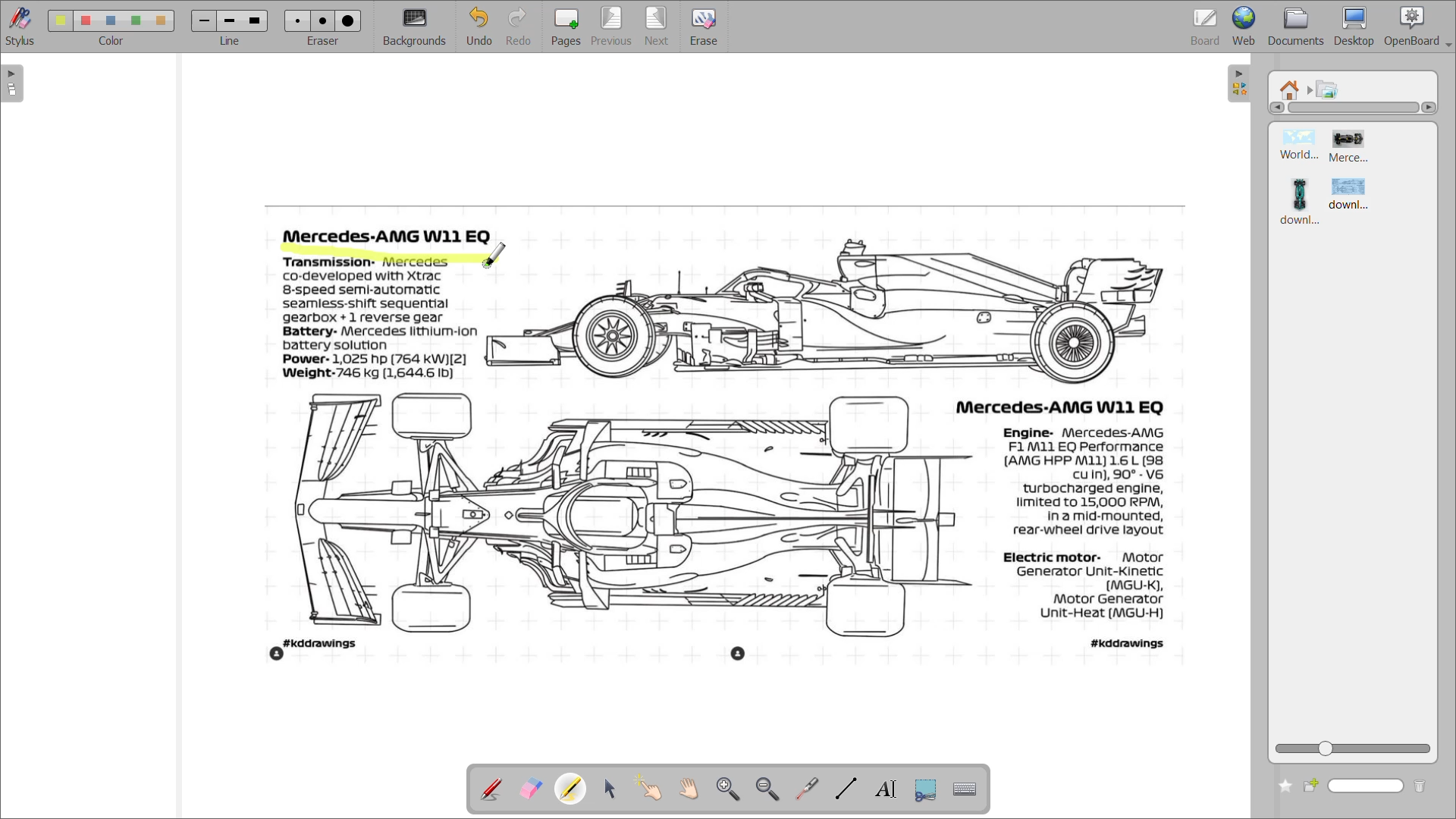 This screenshot has width=1456, height=819. I want to click on undo, so click(478, 27).